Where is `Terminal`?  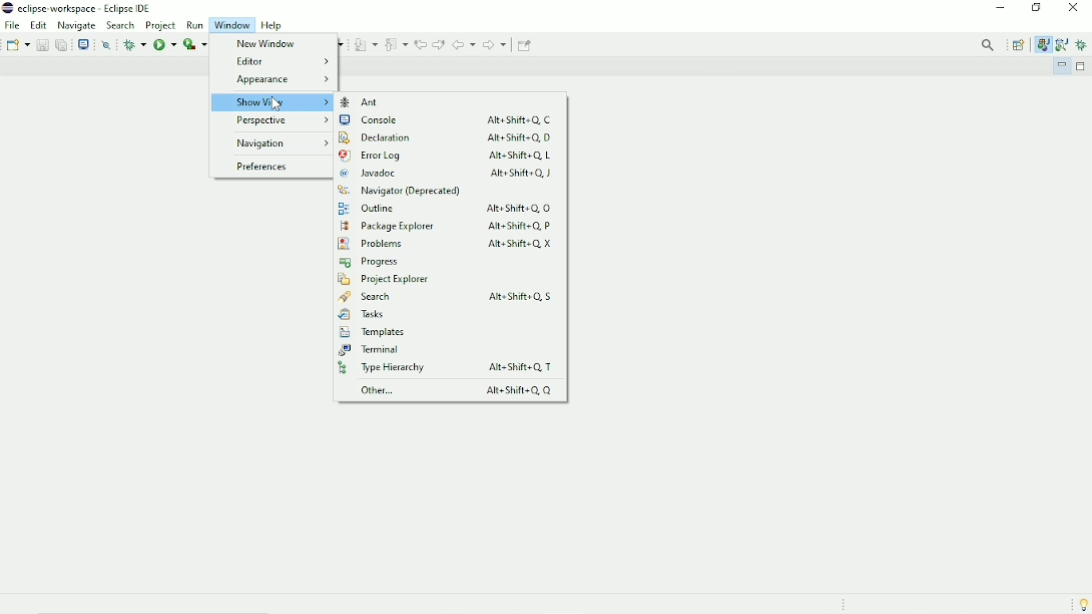
Terminal is located at coordinates (372, 350).